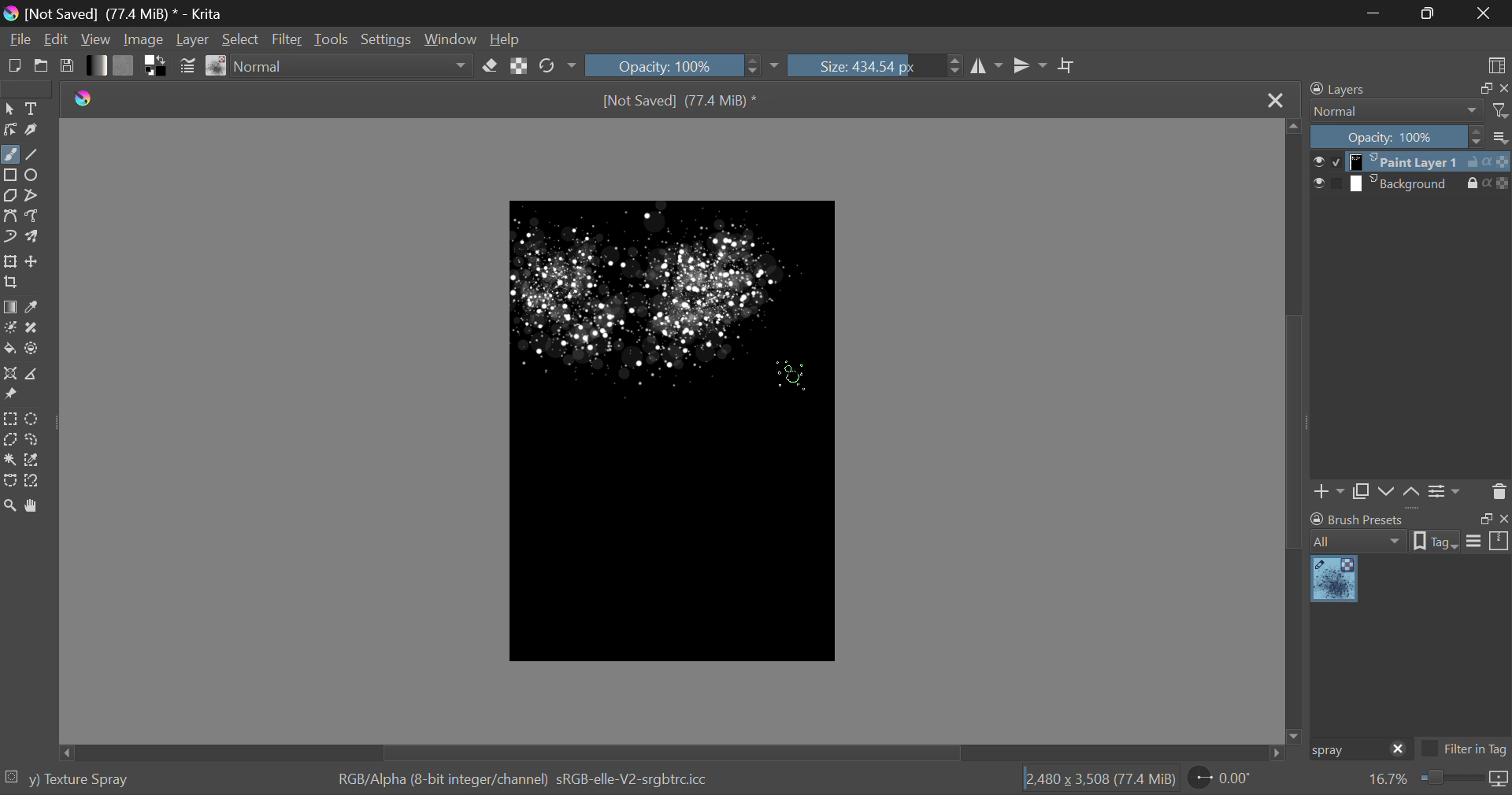  What do you see at coordinates (124, 65) in the screenshot?
I see `Pattern` at bounding box center [124, 65].